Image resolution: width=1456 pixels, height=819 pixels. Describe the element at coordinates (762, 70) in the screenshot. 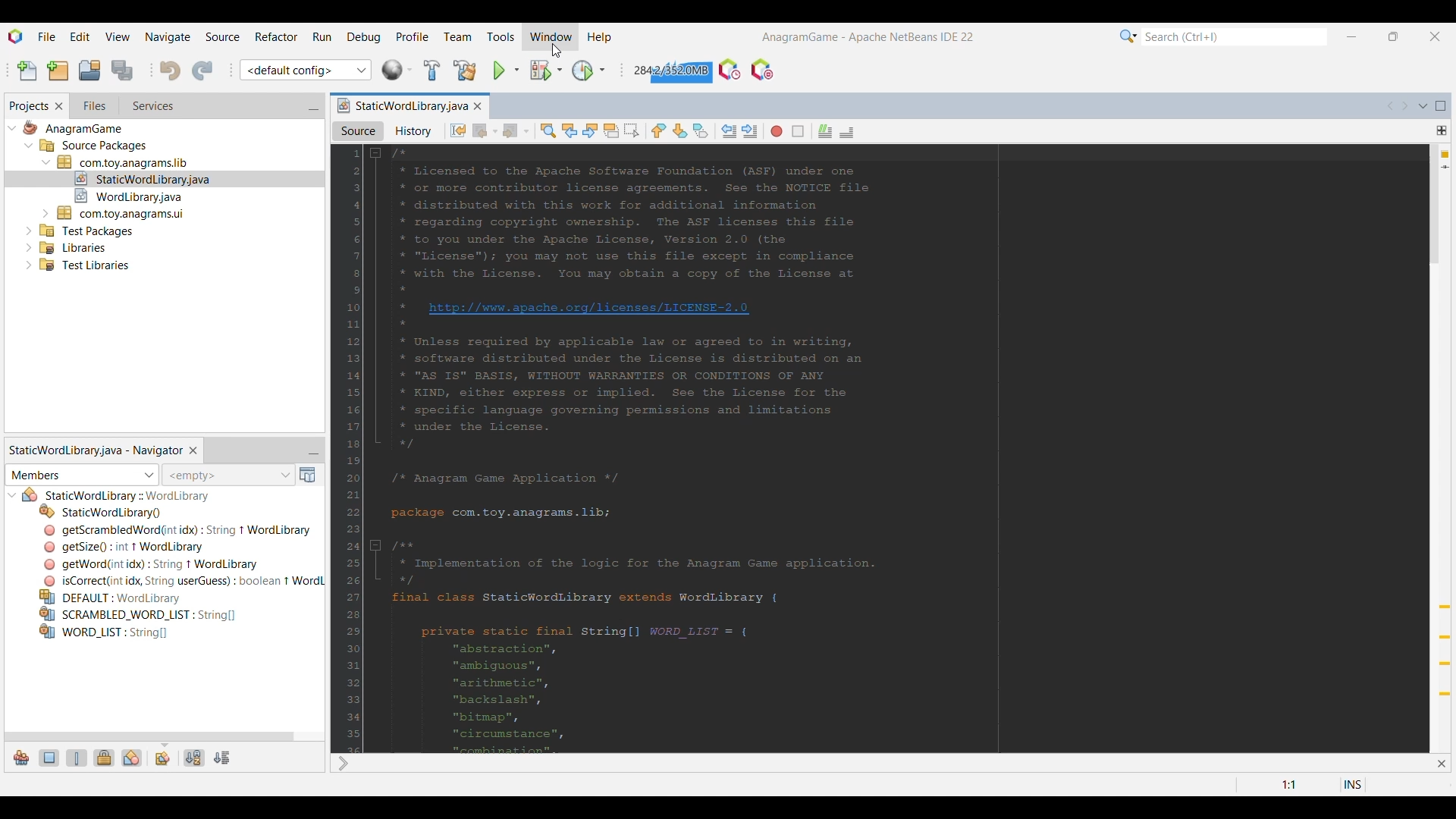

I see `Pause I/O checks` at that location.